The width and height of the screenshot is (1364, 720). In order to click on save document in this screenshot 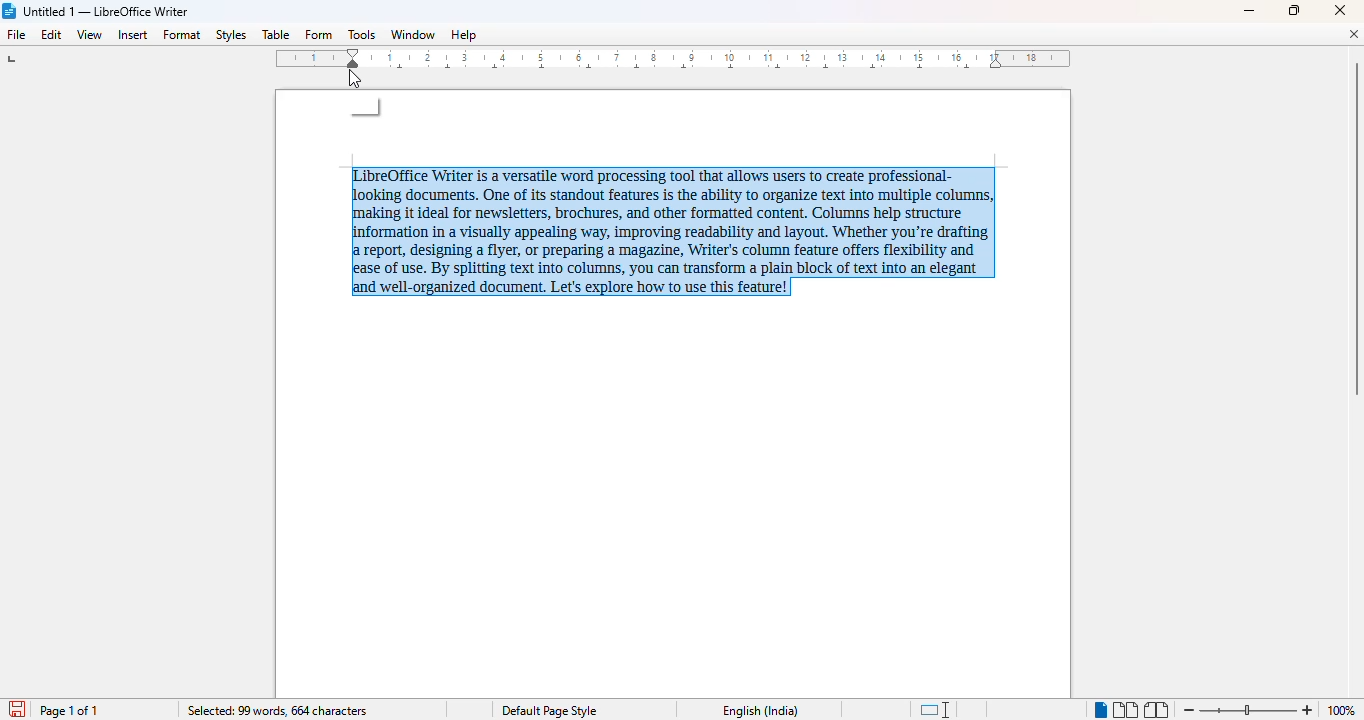, I will do `click(16, 709)`.